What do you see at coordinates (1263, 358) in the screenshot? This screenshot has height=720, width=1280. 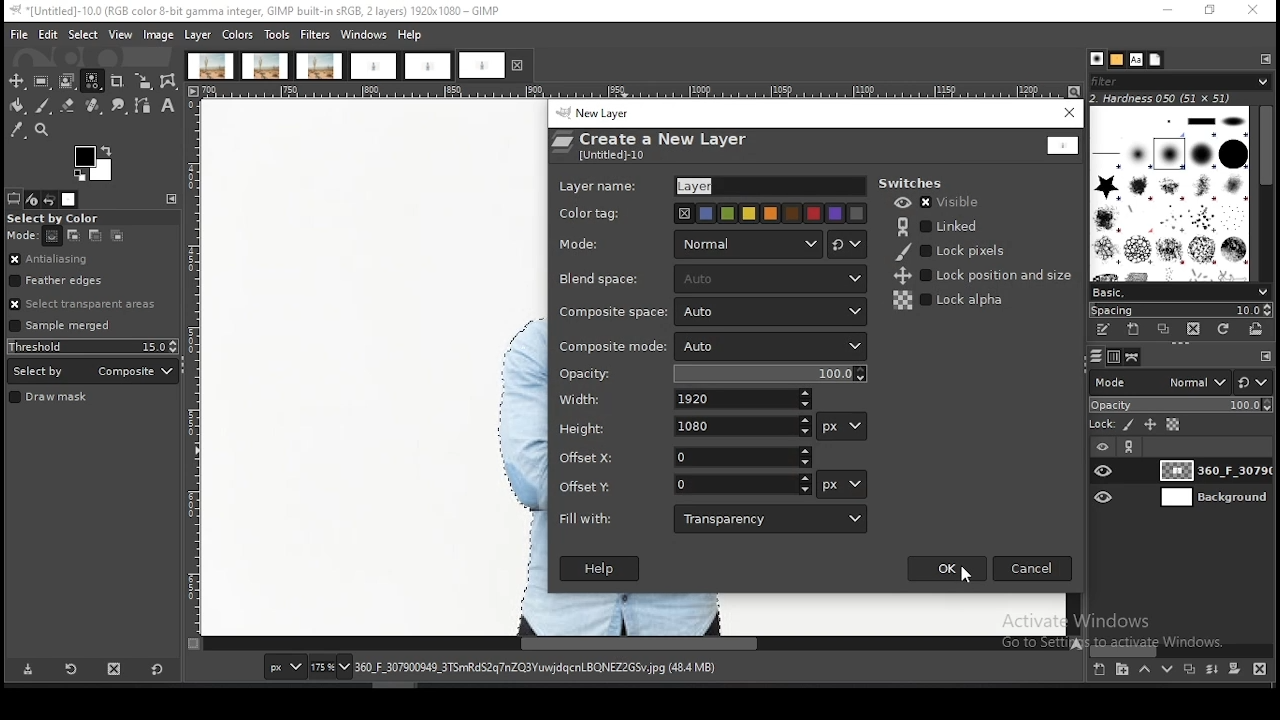 I see `configure this tab` at bounding box center [1263, 358].